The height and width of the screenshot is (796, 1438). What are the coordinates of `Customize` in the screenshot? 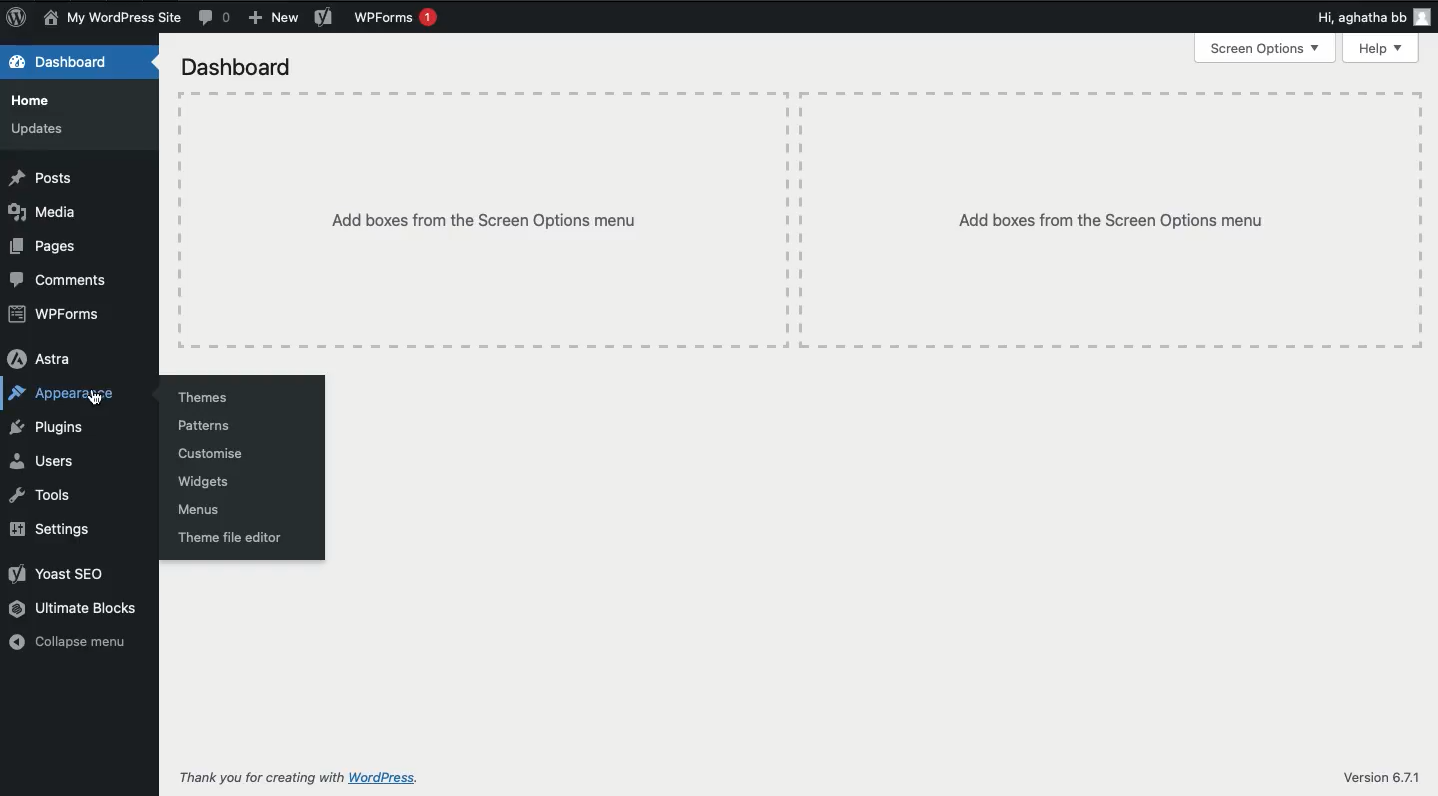 It's located at (213, 454).